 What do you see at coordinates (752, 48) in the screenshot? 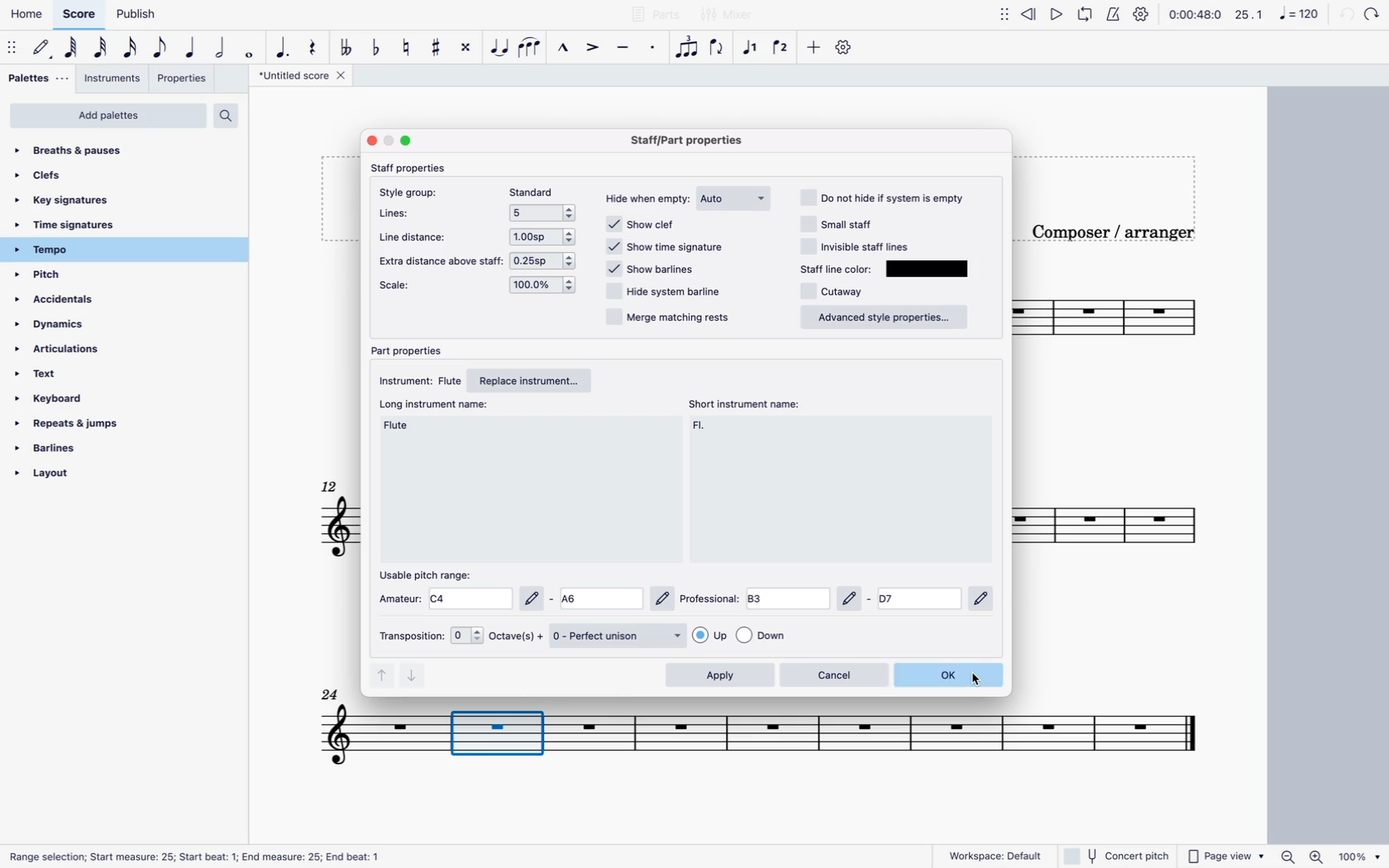
I see `selected voice 1` at bounding box center [752, 48].